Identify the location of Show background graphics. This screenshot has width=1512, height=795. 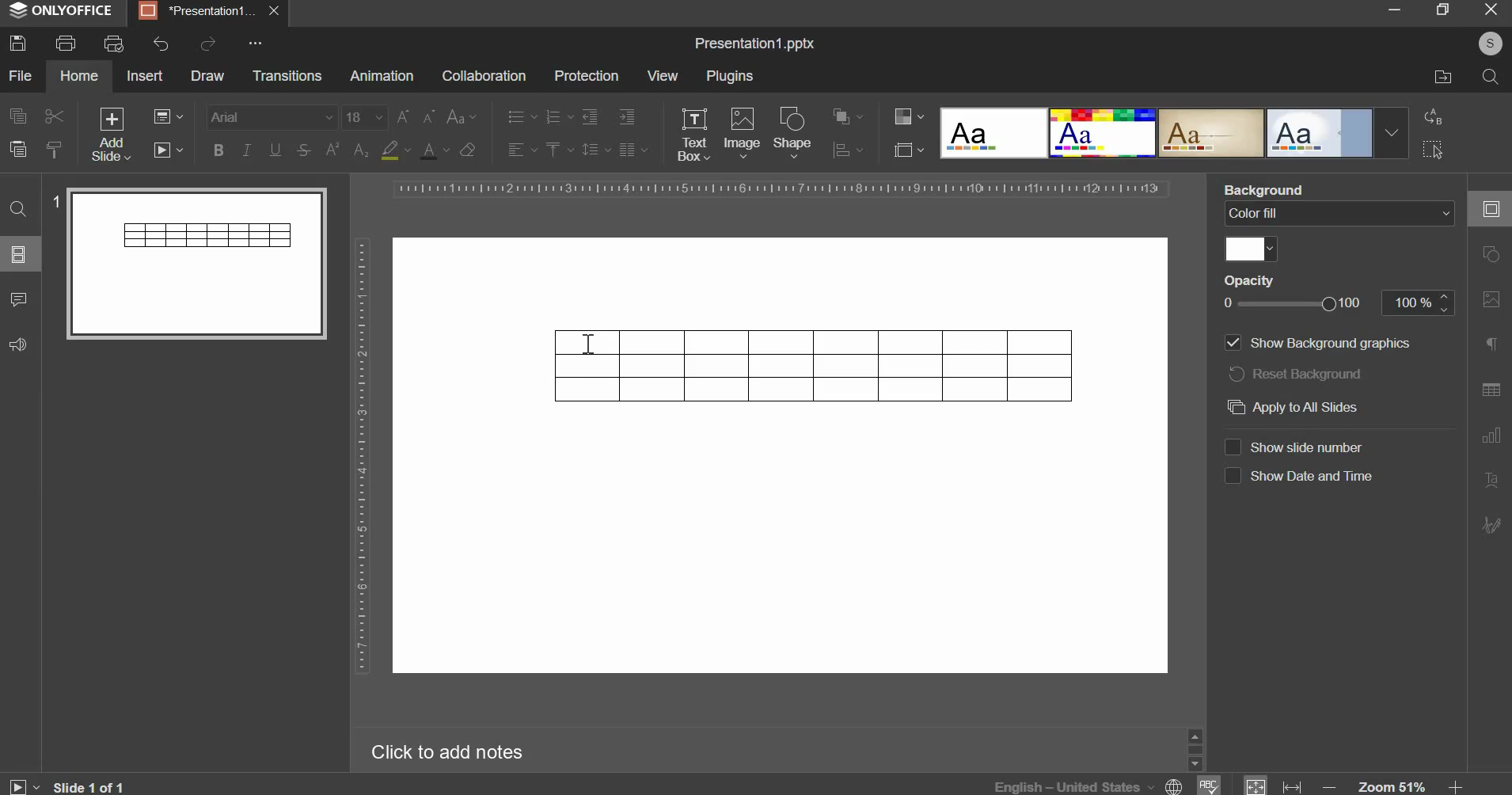
(1327, 343).